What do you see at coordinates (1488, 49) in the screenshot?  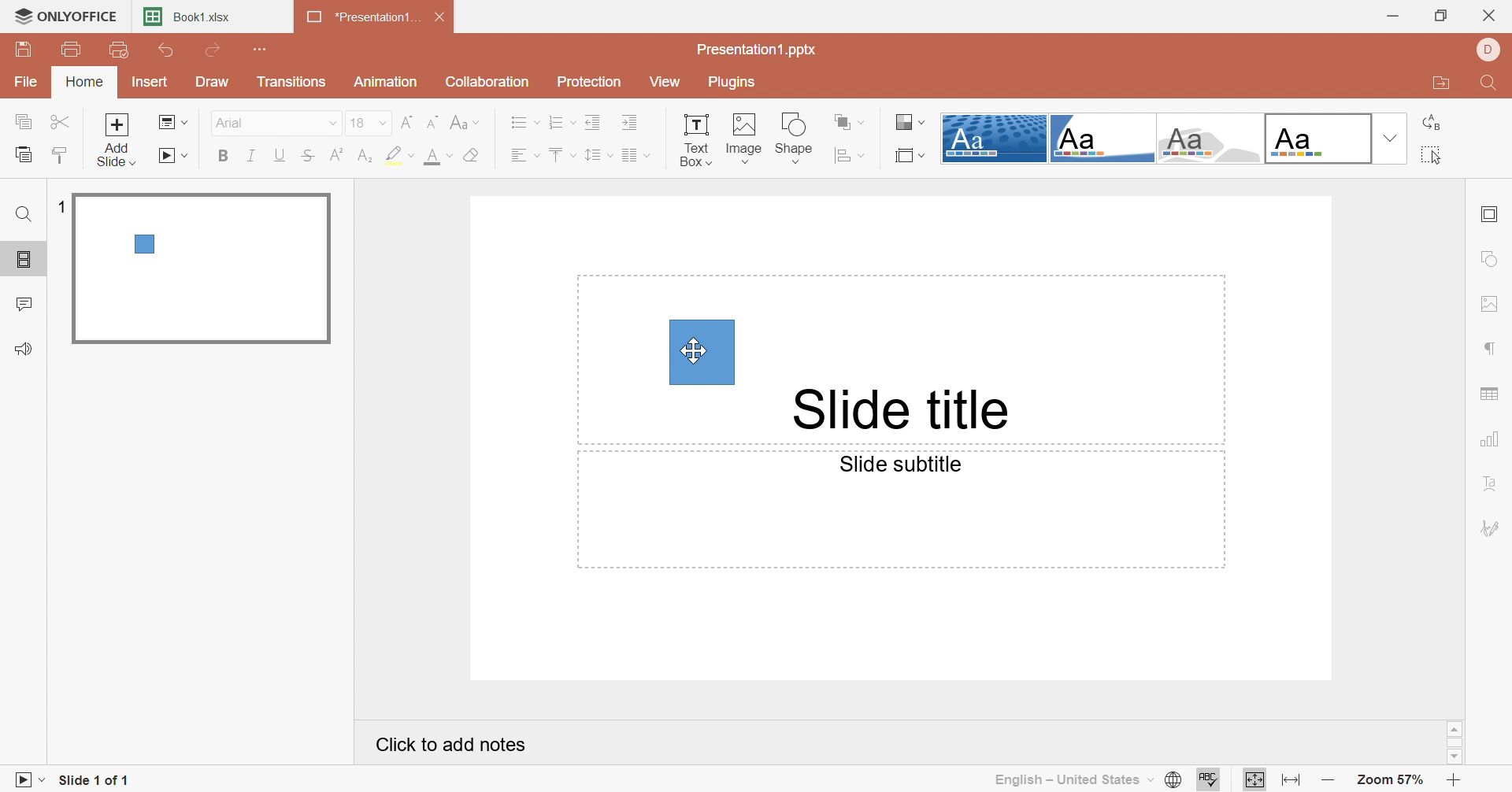 I see `DELL` at bounding box center [1488, 49].